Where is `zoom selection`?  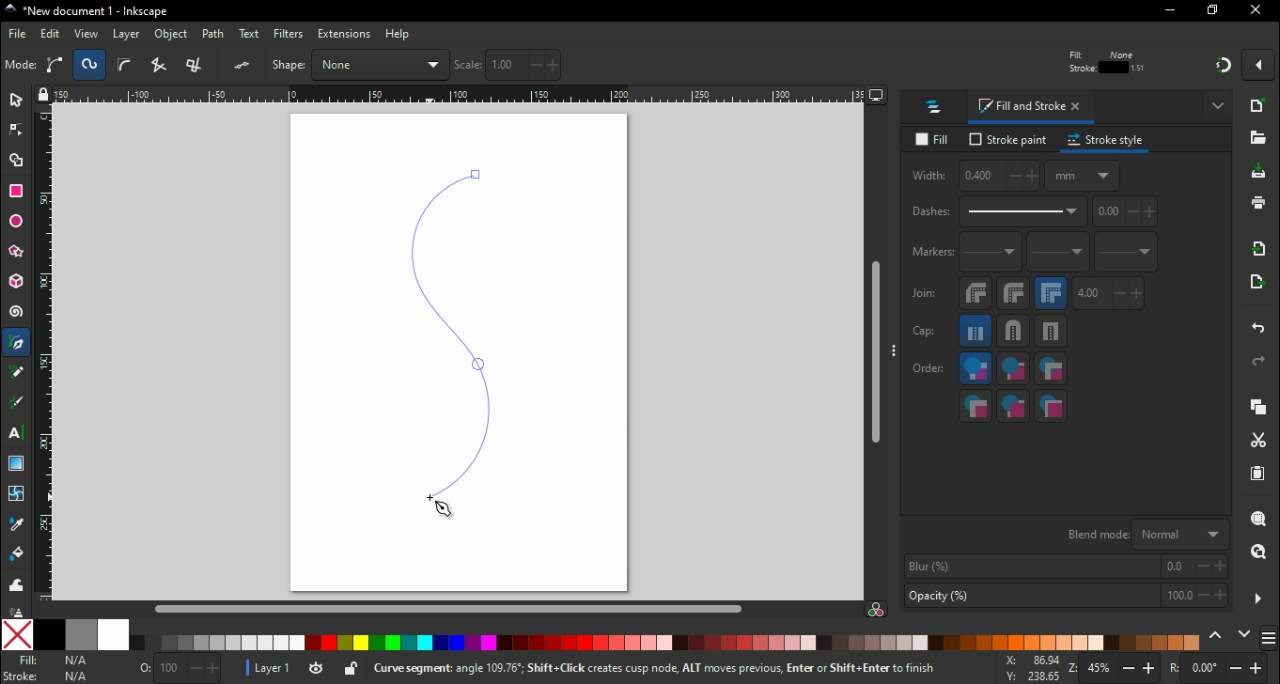 zoom selection is located at coordinates (1261, 520).